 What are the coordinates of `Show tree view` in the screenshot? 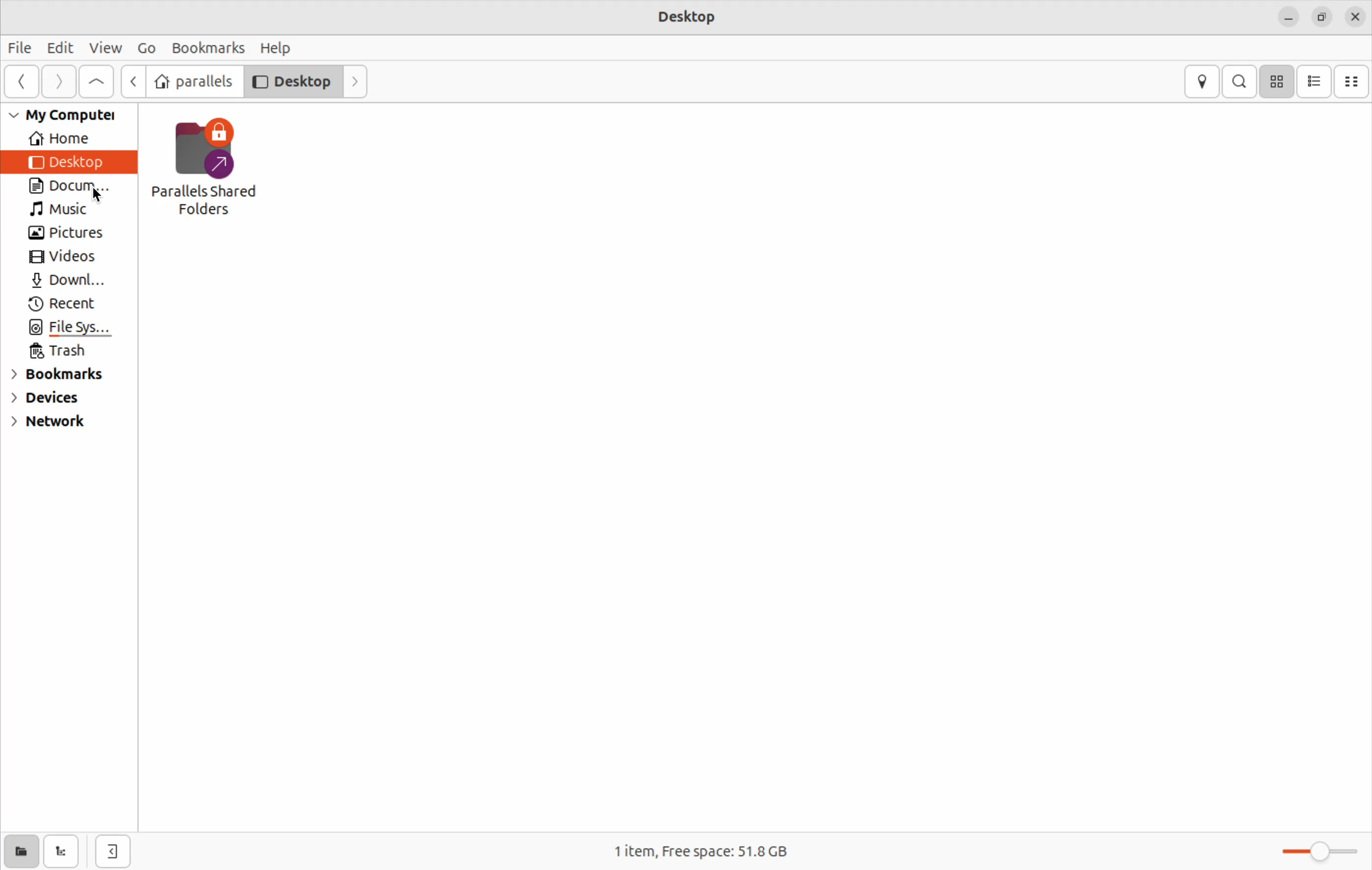 It's located at (60, 852).